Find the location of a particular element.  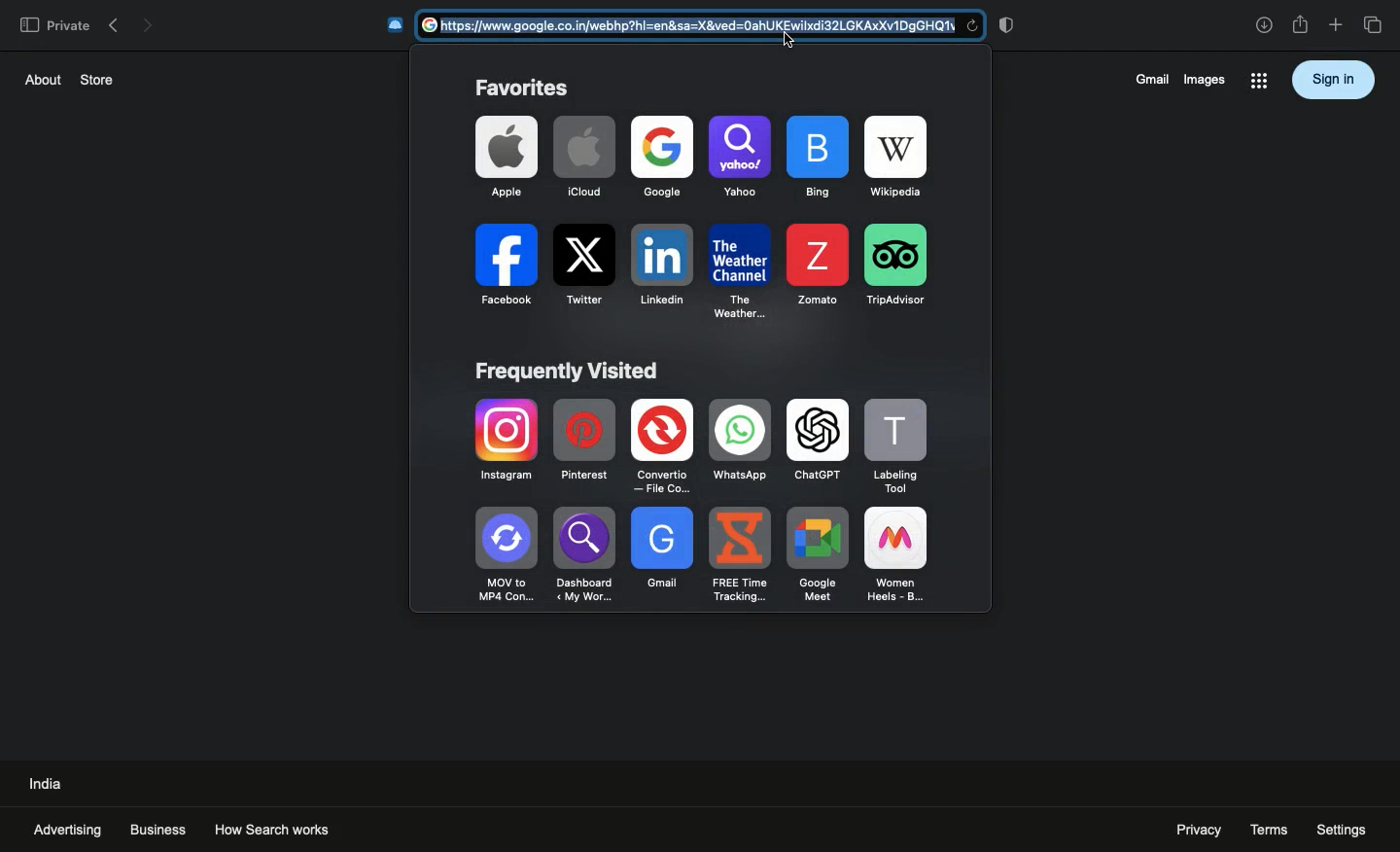

Download is located at coordinates (1264, 25).